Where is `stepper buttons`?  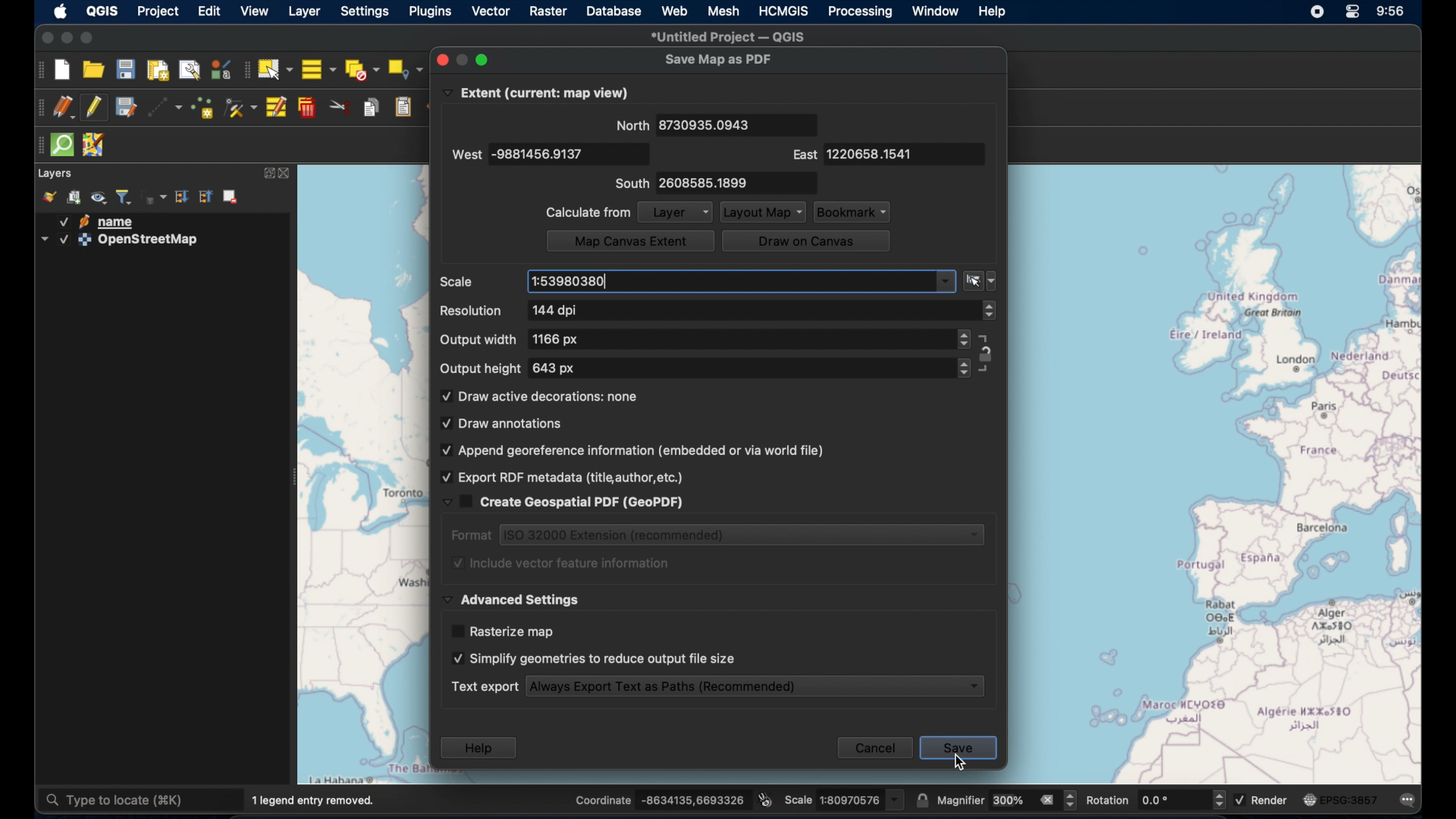
stepper buttons is located at coordinates (964, 340).